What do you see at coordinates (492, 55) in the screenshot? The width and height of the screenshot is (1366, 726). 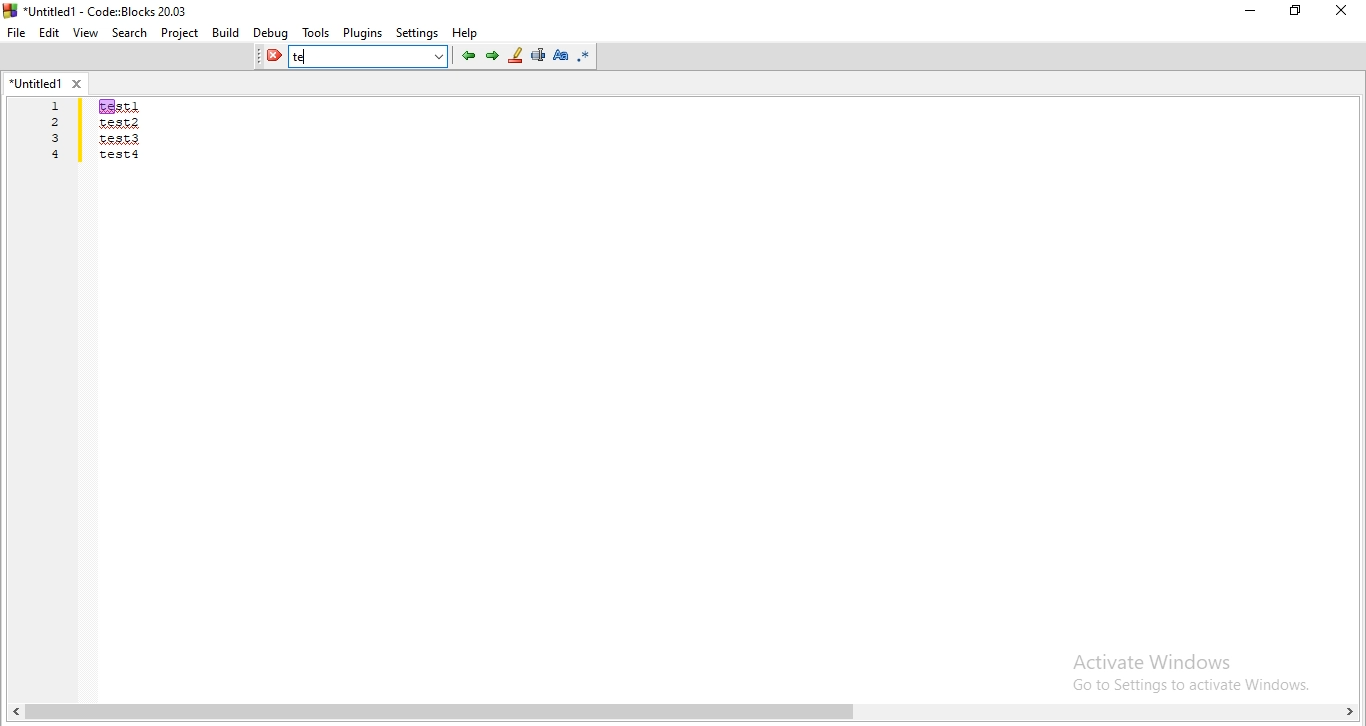 I see `next` at bounding box center [492, 55].